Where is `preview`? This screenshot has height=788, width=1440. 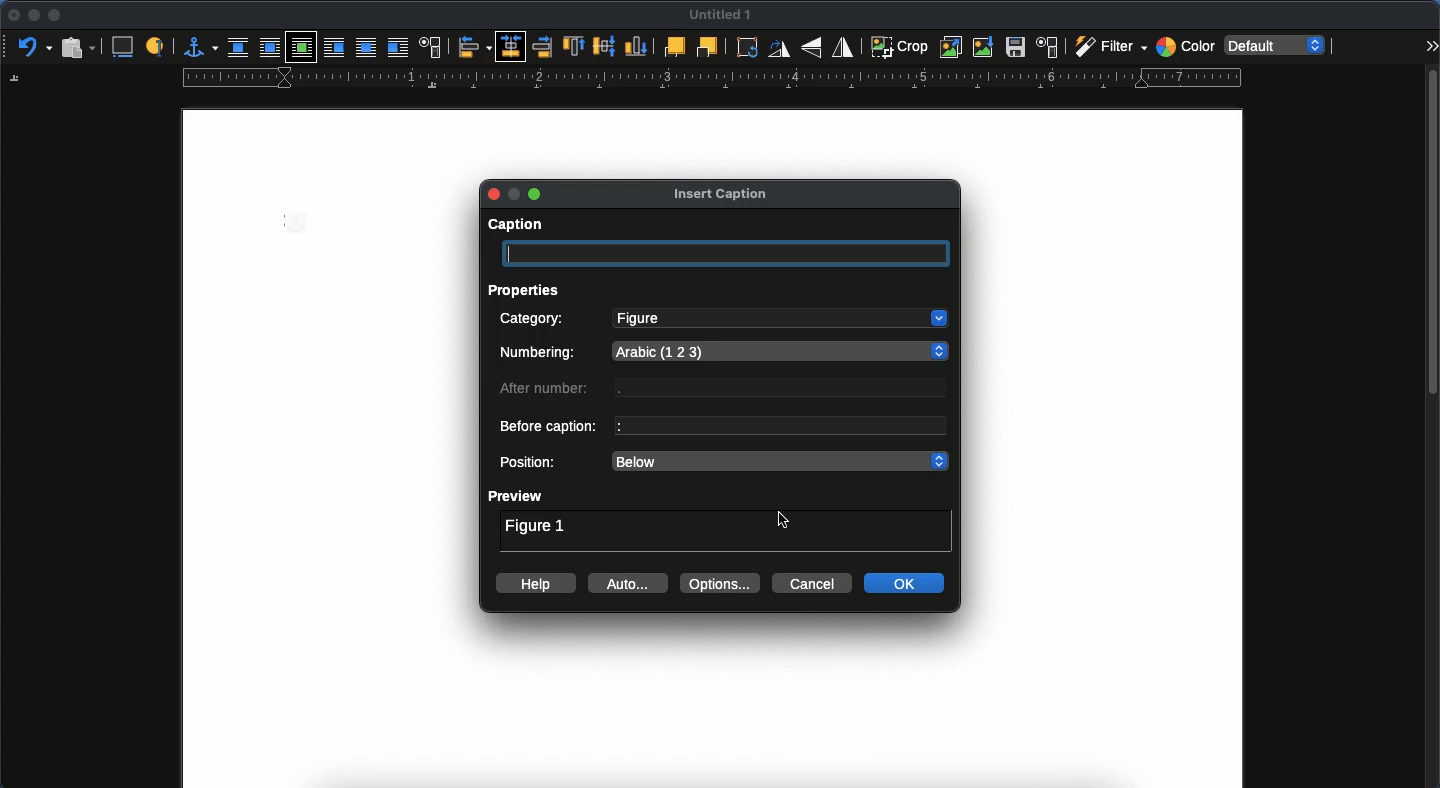 preview is located at coordinates (517, 496).